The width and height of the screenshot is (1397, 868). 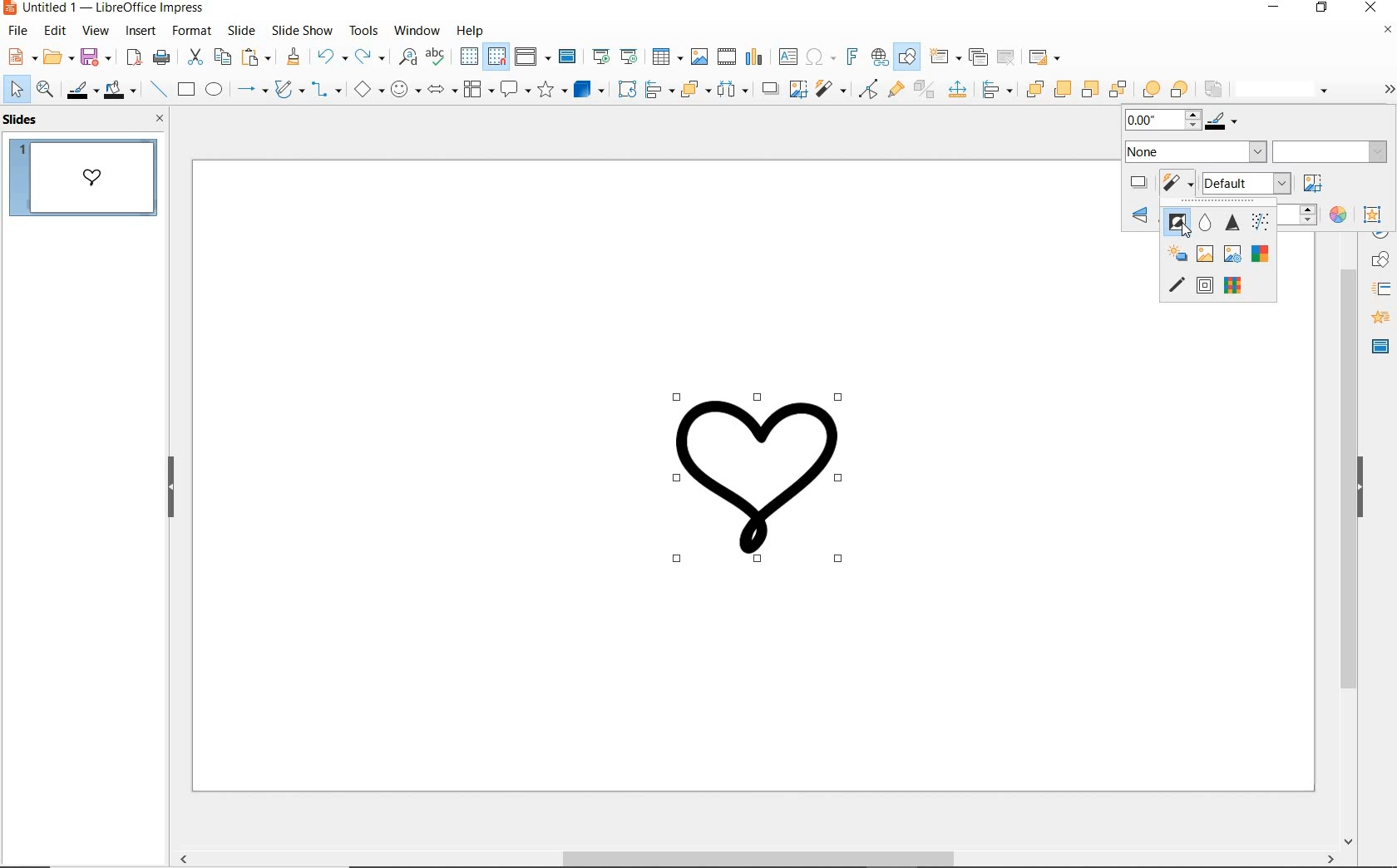 I want to click on print, so click(x=161, y=57).